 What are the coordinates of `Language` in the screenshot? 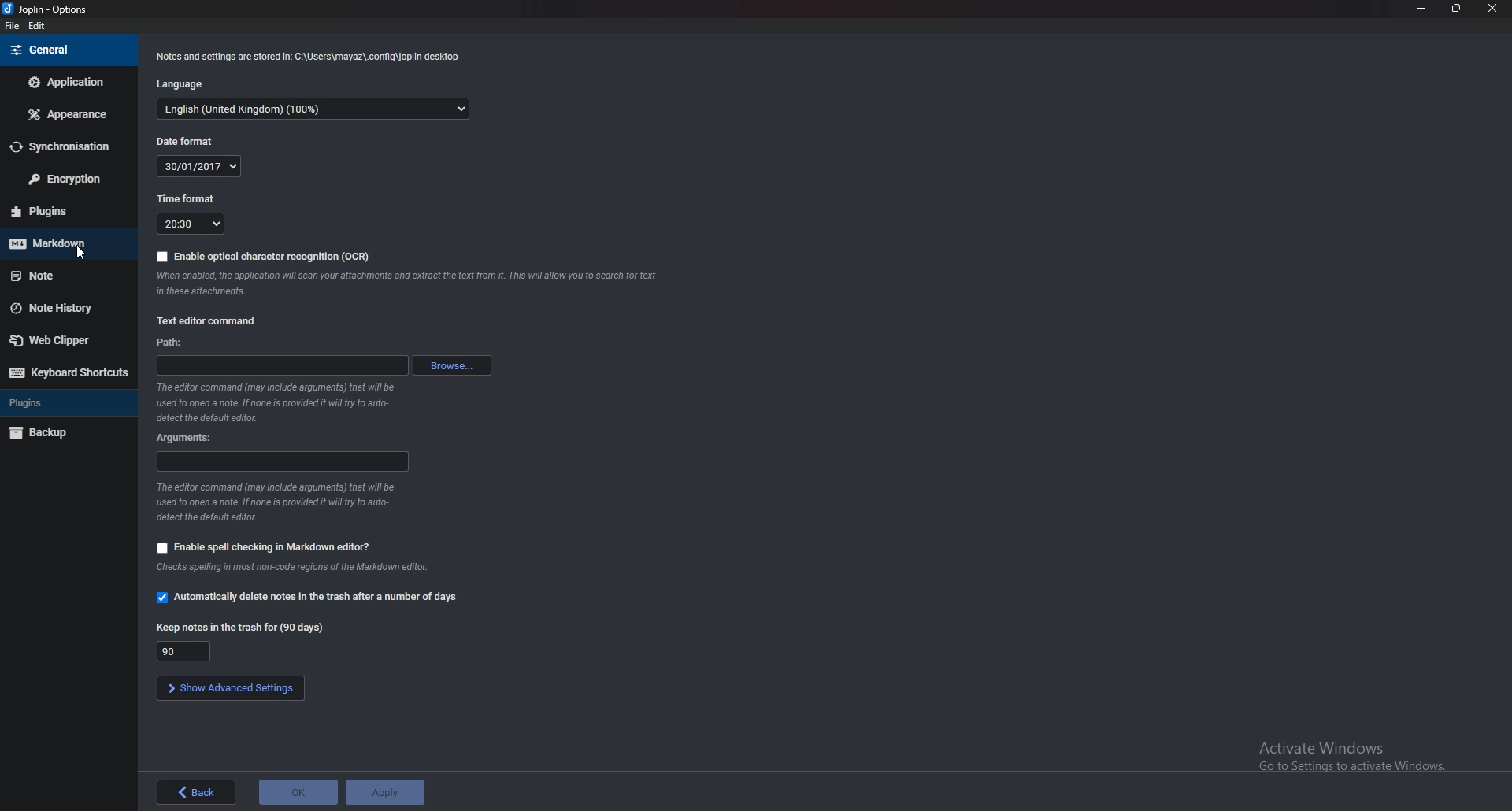 It's located at (315, 107).